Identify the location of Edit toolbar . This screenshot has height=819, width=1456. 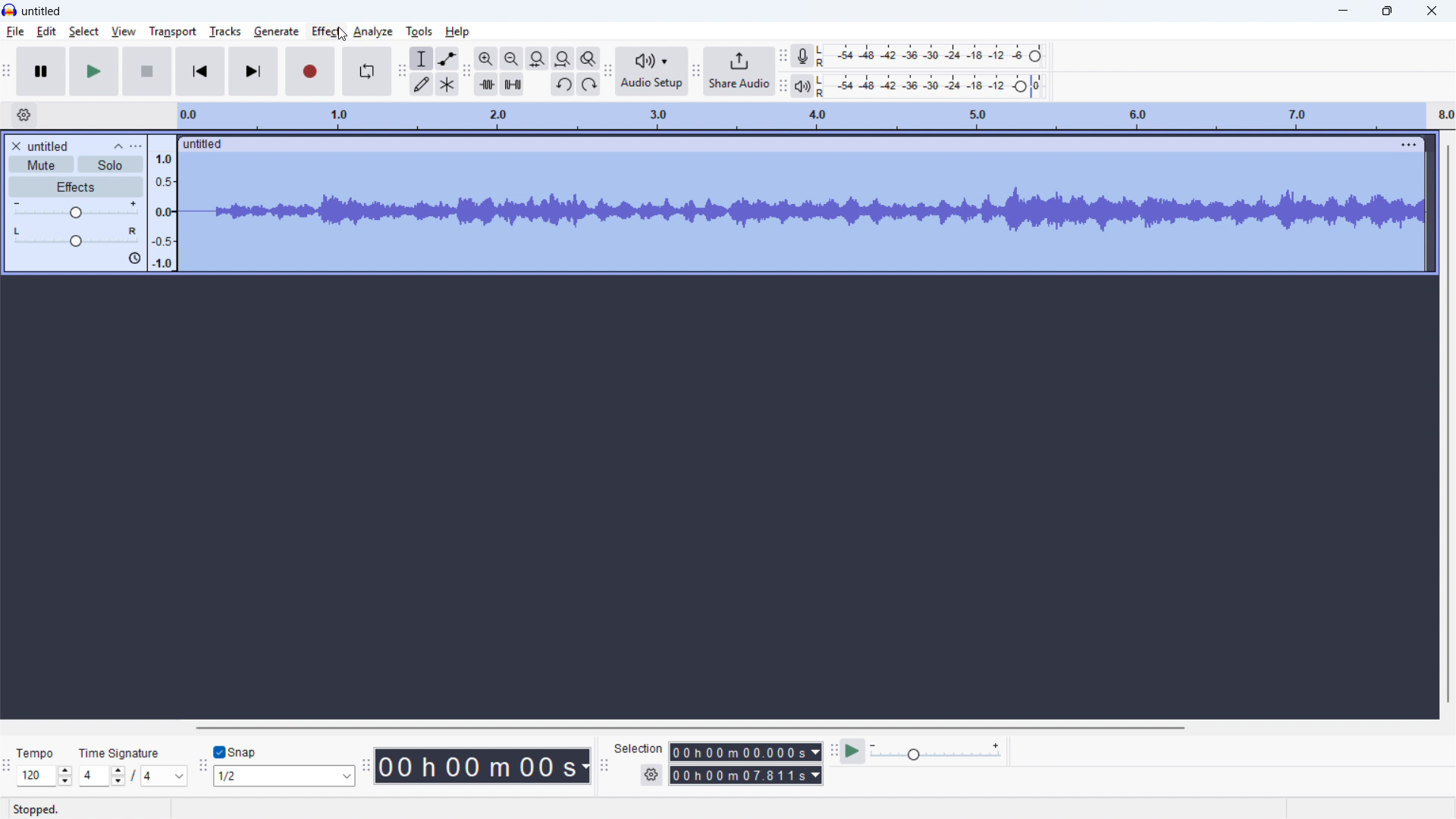
(466, 73).